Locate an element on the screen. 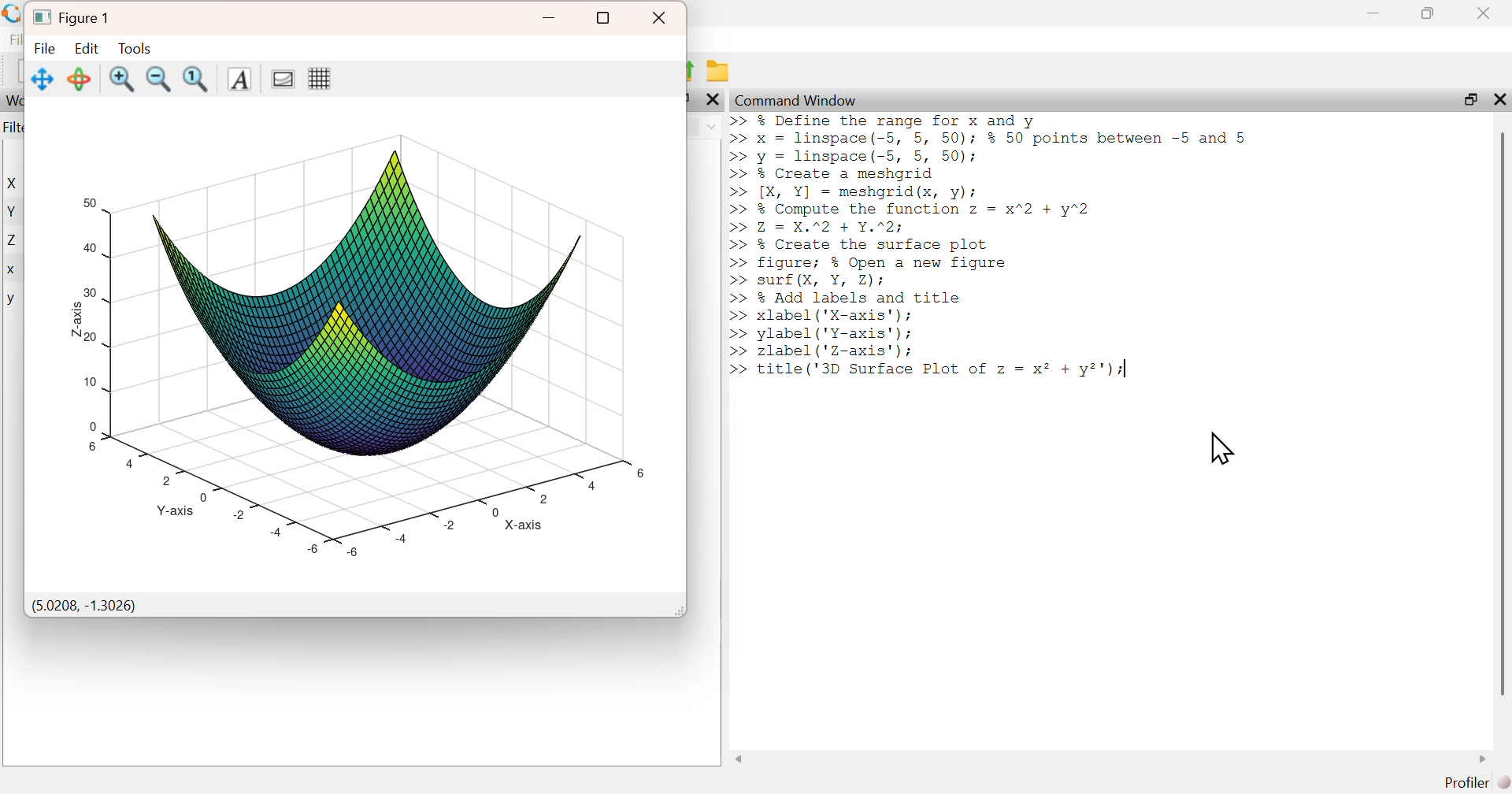  full screen is located at coordinates (604, 18).